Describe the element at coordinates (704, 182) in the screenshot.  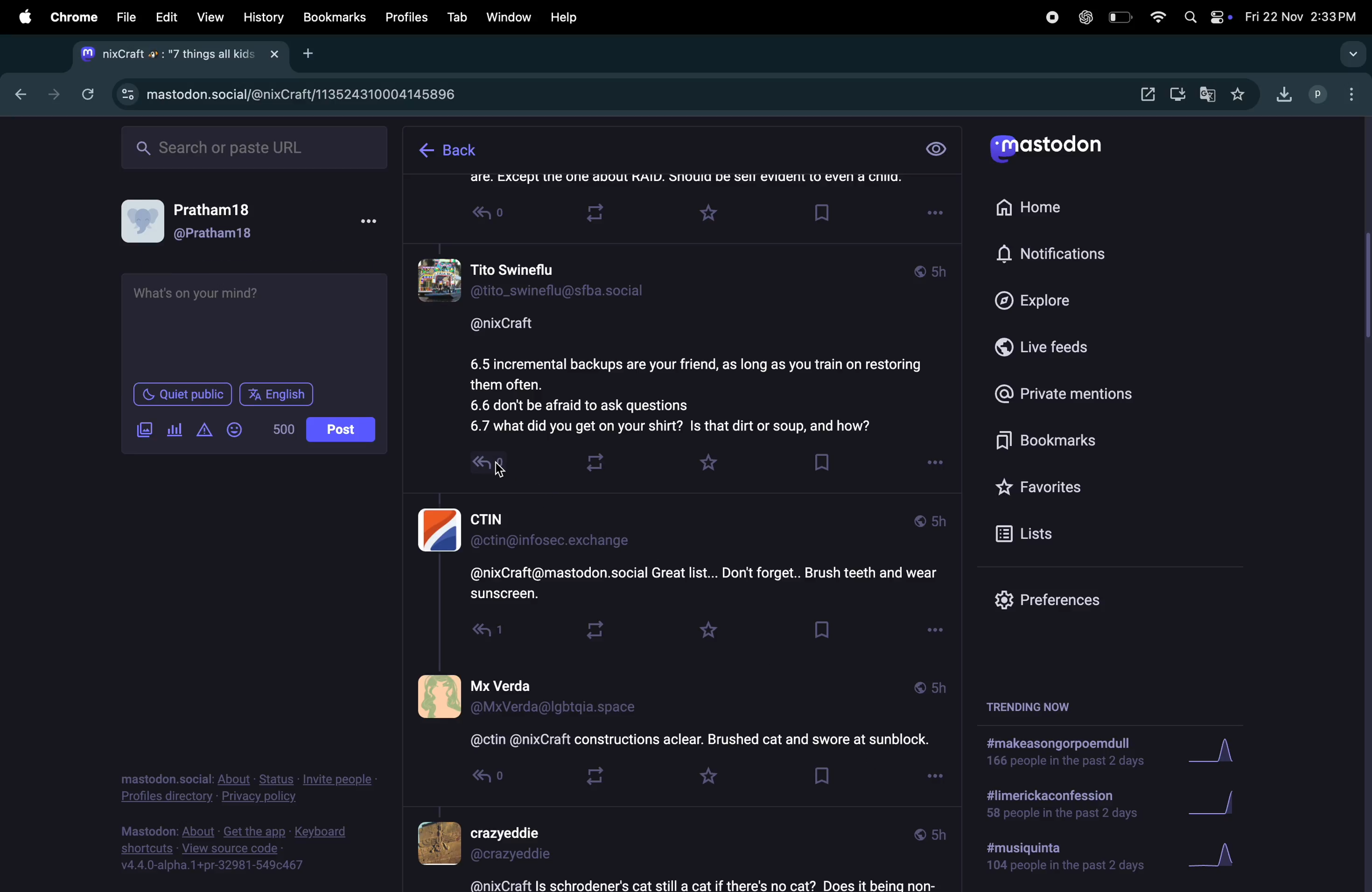
I see `Thread` at that location.